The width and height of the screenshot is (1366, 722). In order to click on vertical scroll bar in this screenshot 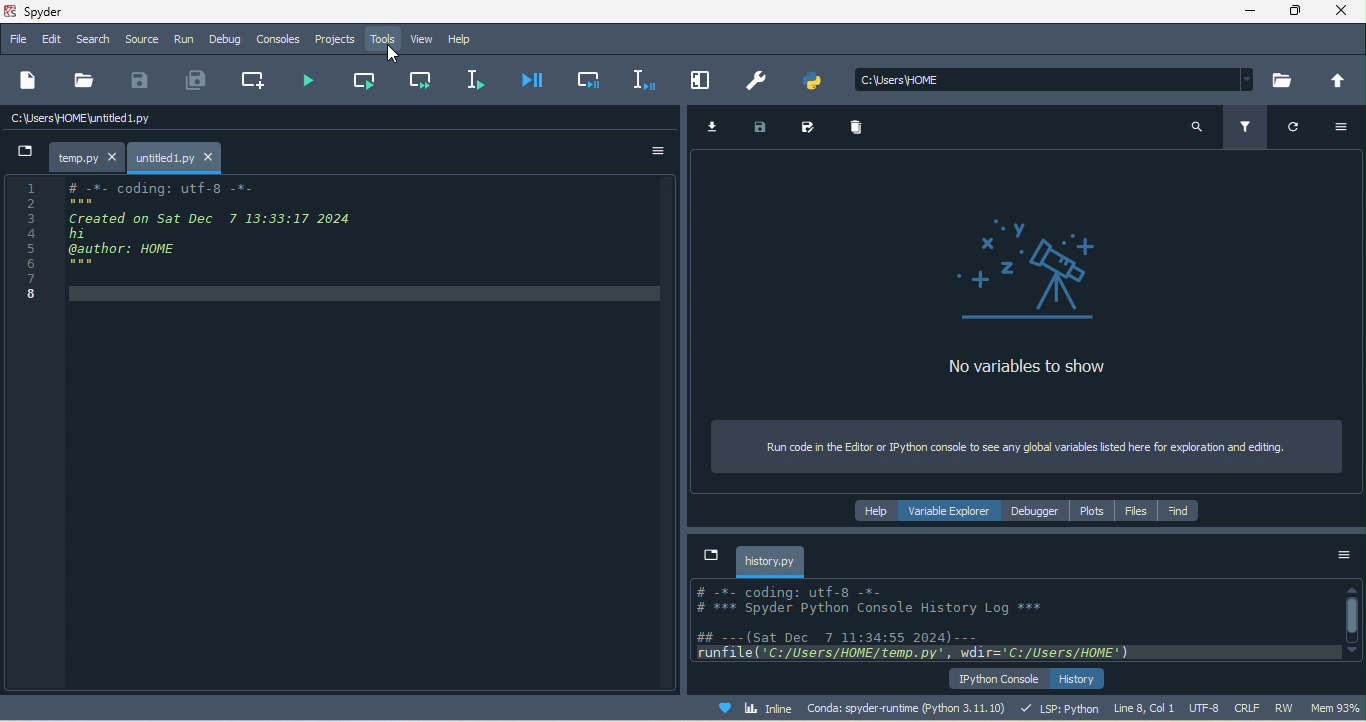, I will do `click(1352, 618)`.